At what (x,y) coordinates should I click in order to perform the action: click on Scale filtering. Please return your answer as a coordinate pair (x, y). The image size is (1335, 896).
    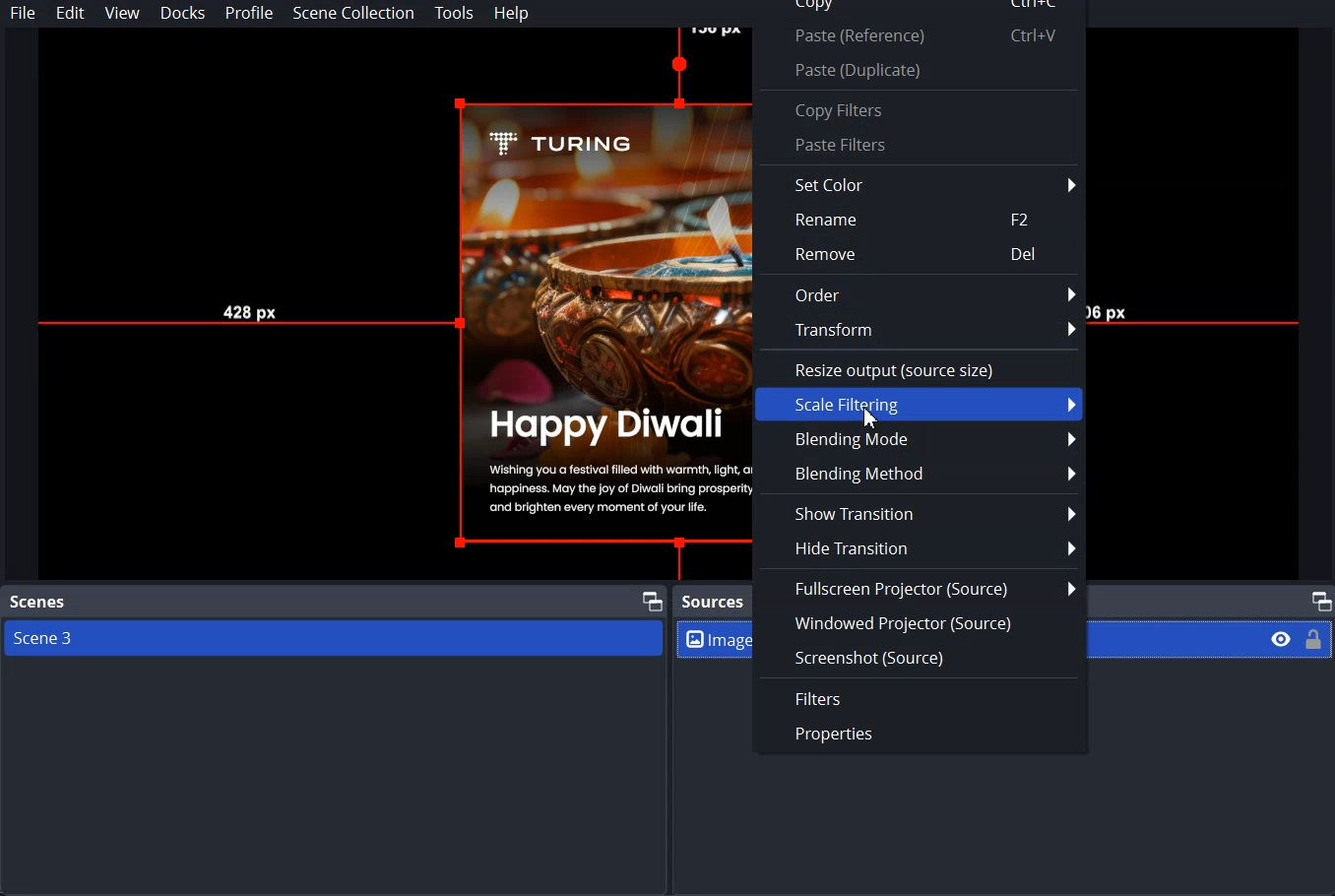
    Looking at the image, I should click on (921, 404).